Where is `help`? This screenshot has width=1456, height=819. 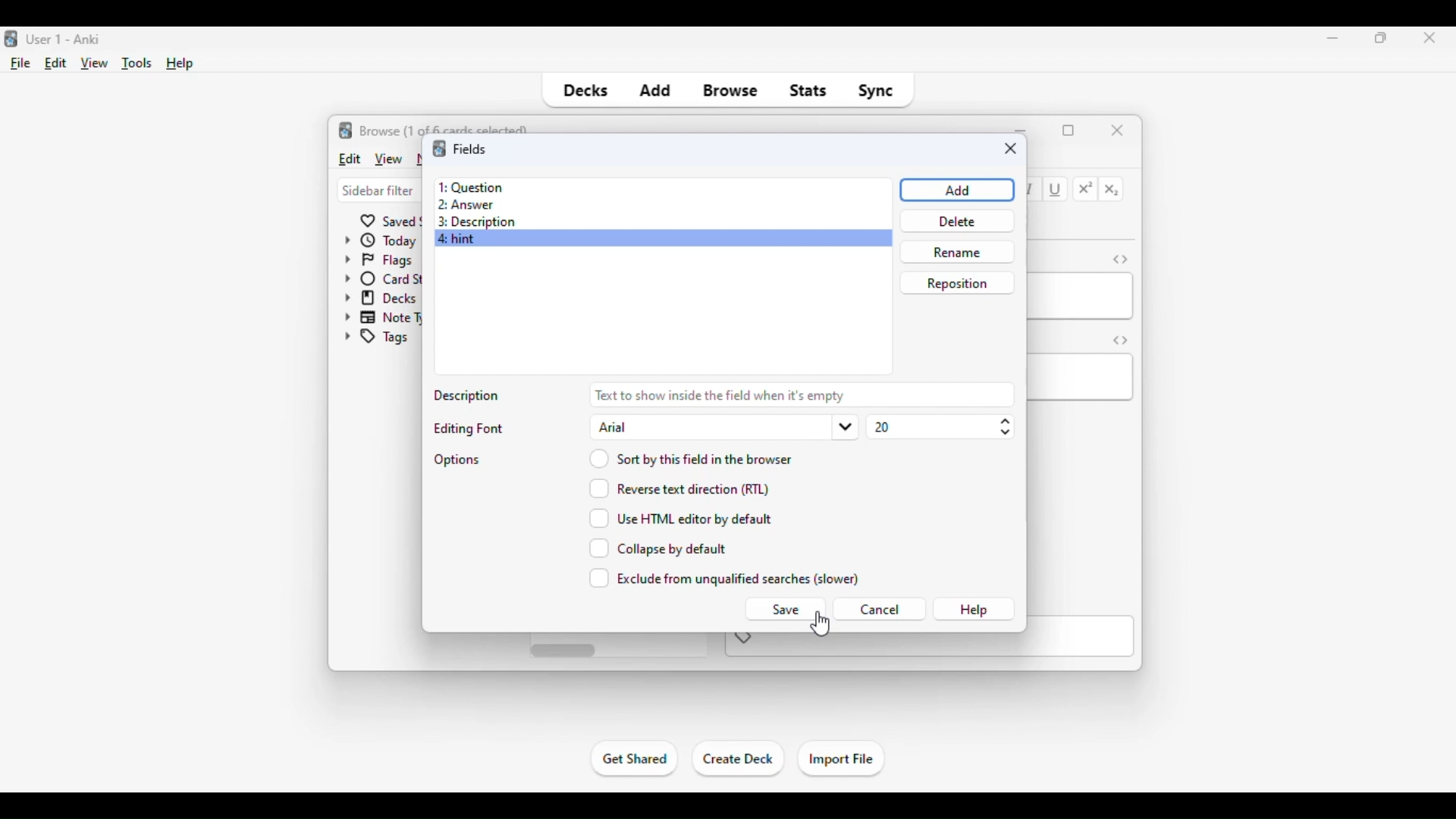
help is located at coordinates (974, 610).